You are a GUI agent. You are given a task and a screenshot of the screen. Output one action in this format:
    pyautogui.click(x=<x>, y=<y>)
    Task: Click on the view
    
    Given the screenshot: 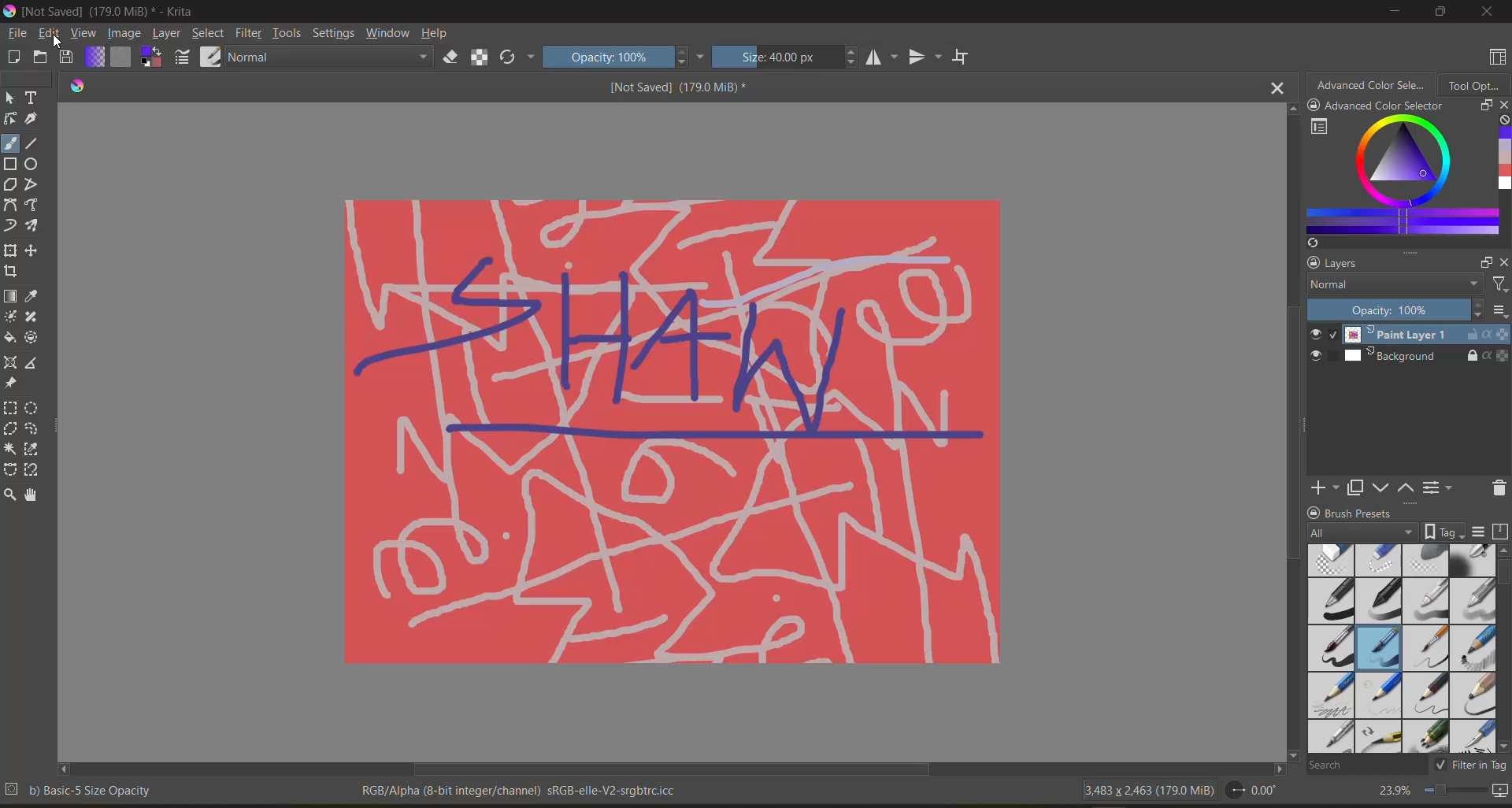 What is the action you would take?
    pyautogui.click(x=85, y=33)
    